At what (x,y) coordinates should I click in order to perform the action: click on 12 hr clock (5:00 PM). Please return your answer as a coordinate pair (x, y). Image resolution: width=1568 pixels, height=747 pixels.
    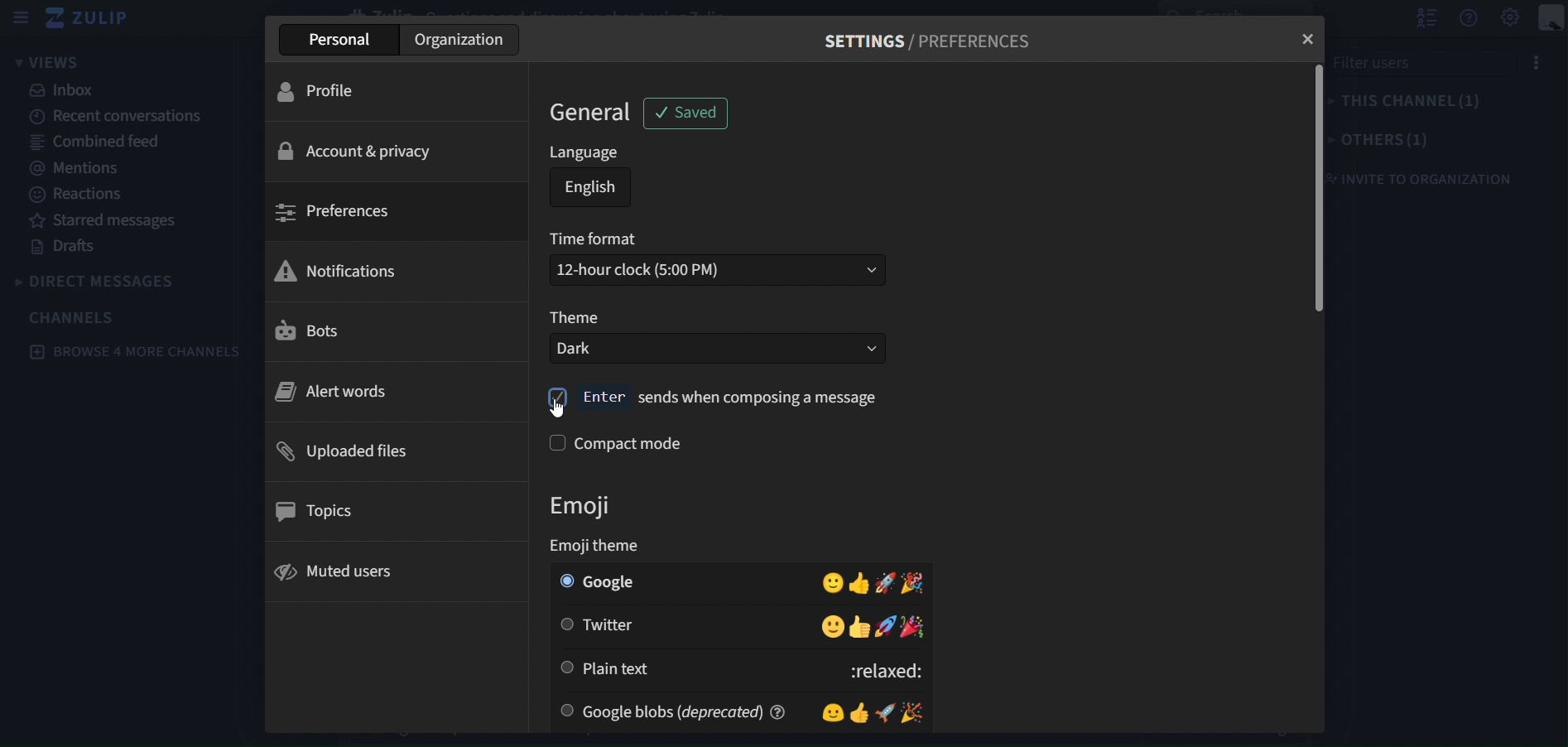
    Looking at the image, I should click on (682, 269).